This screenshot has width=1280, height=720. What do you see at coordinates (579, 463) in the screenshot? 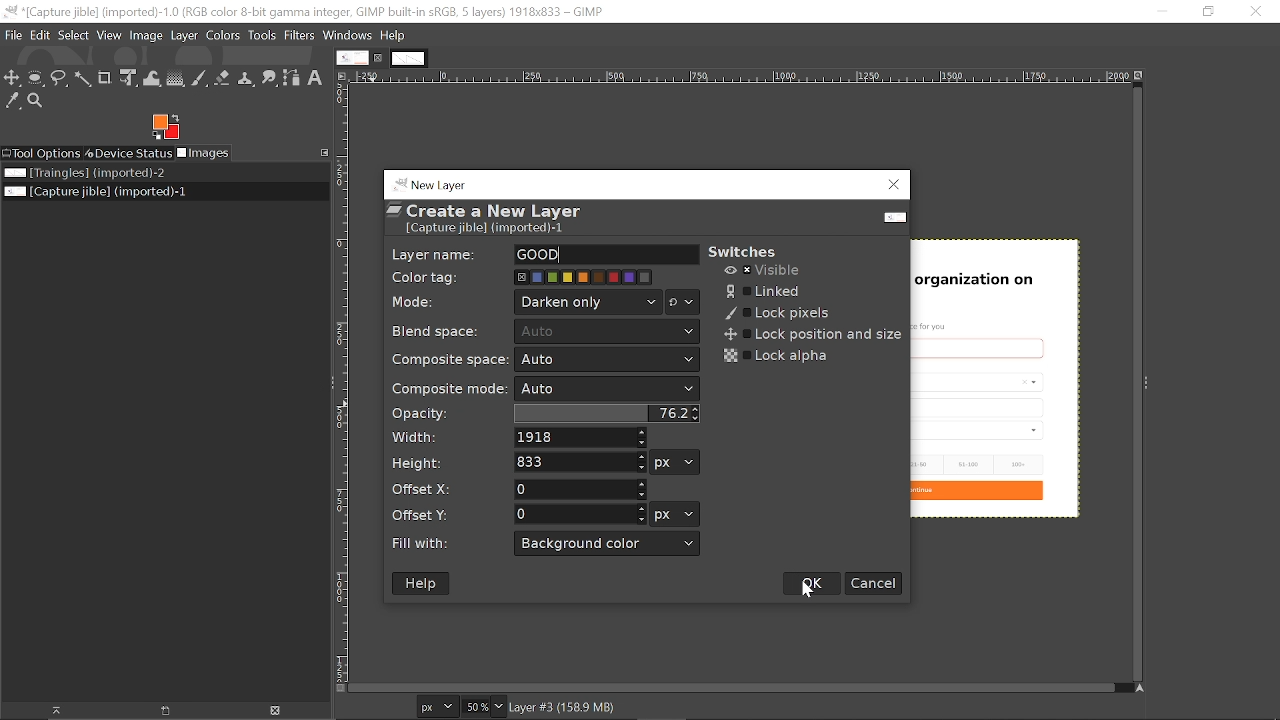
I see `Height` at bounding box center [579, 463].